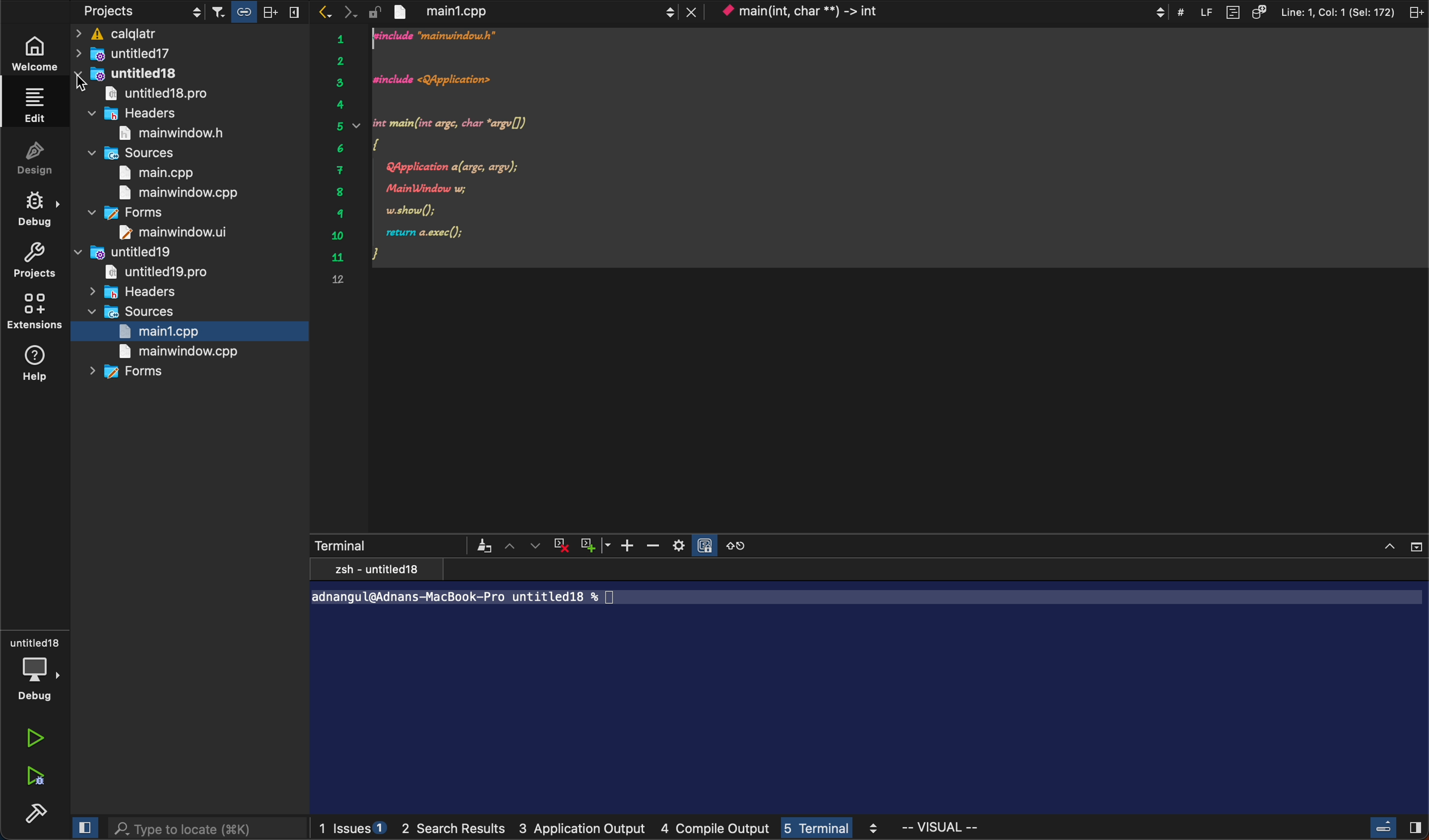 The height and width of the screenshot is (840, 1429). Describe the element at coordinates (944, 828) in the screenshot. I see `visual` at that location.